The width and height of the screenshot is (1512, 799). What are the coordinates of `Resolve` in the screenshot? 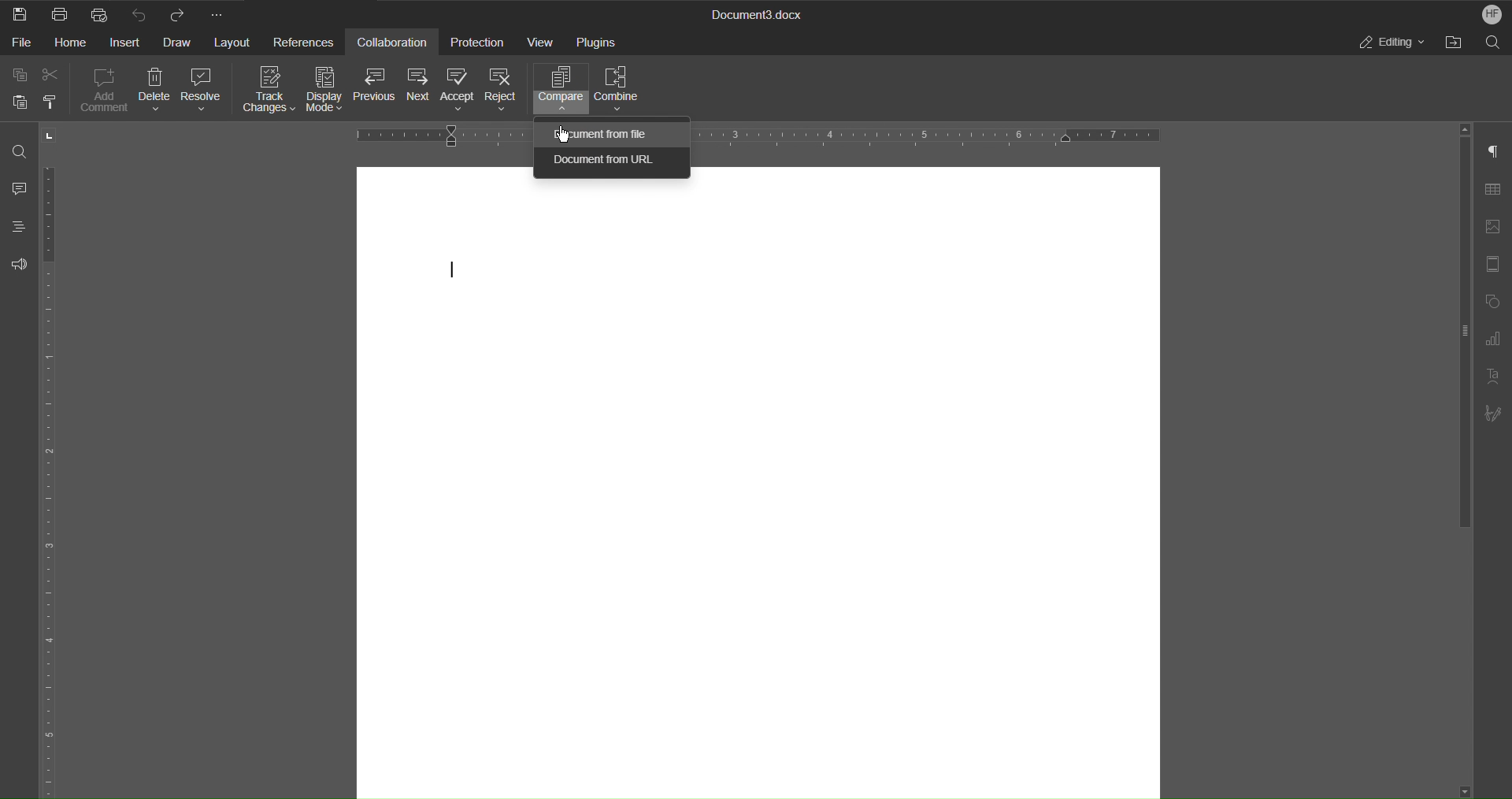 It's located at (204, 89).